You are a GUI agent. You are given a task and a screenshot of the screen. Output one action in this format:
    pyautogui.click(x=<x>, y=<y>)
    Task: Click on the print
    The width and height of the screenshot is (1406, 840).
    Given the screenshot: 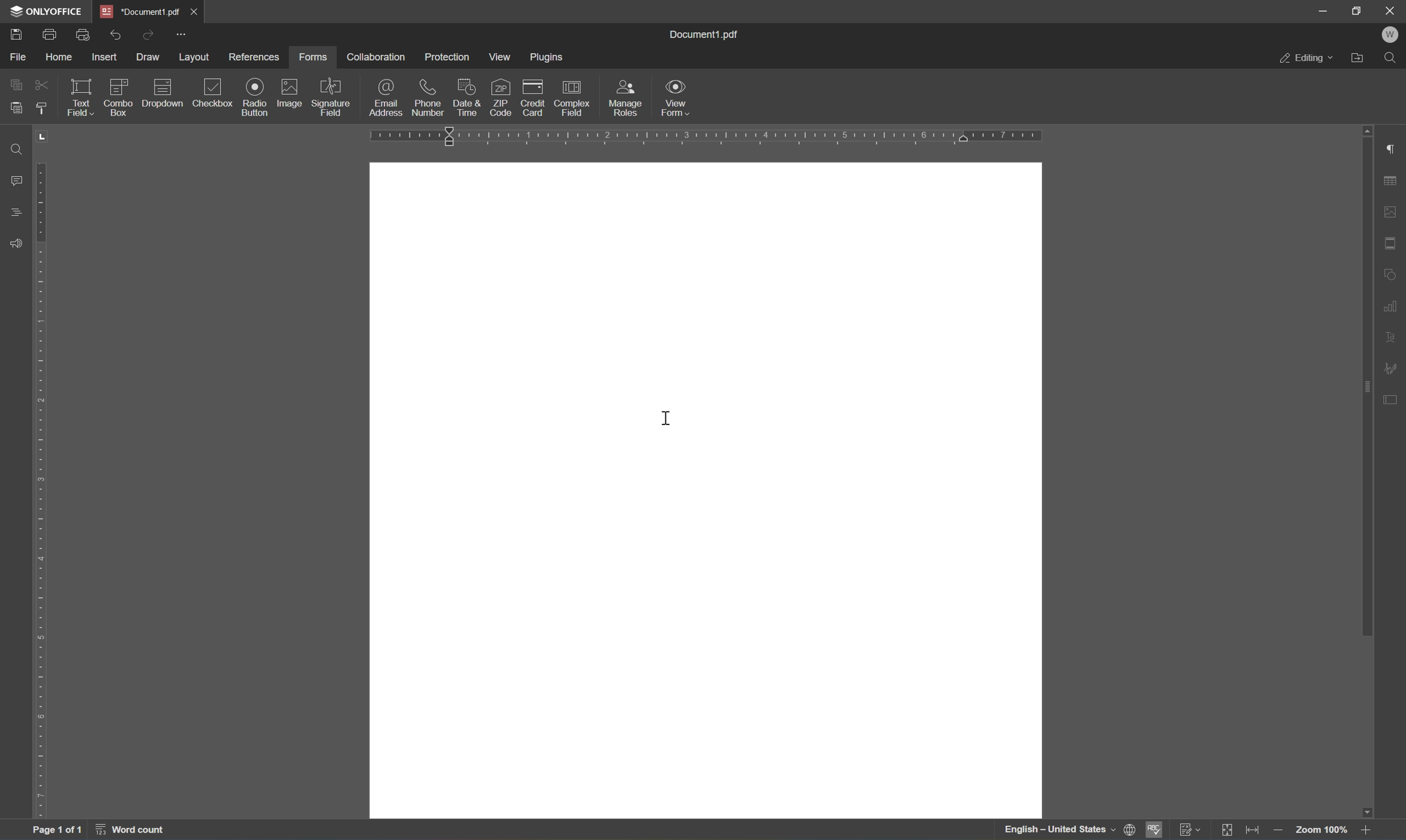 What is the action you would take?
    pyautogui.click(x=49, y=36)
    